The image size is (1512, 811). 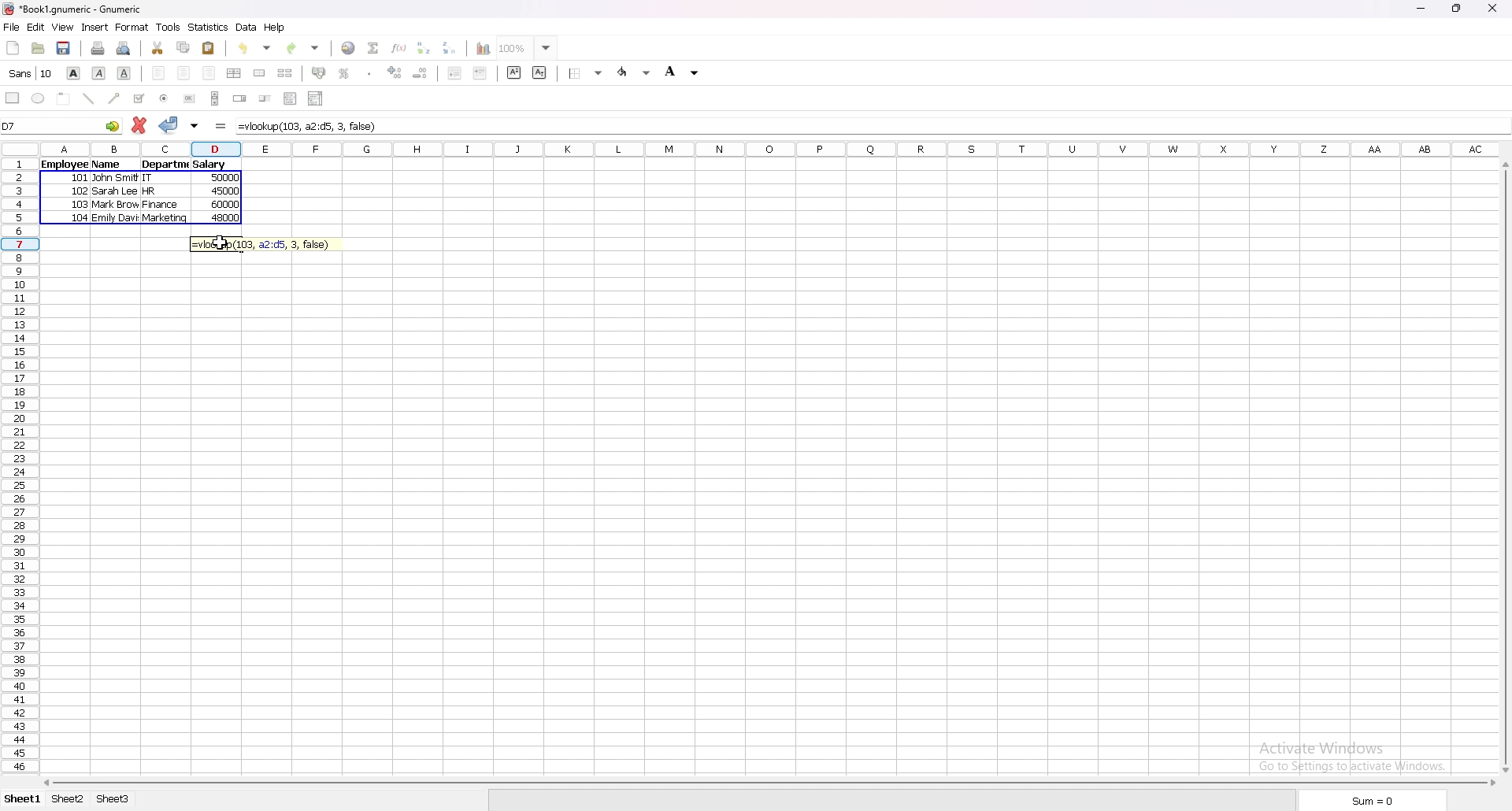 I want to click on 103, so click(x=82, y=205).